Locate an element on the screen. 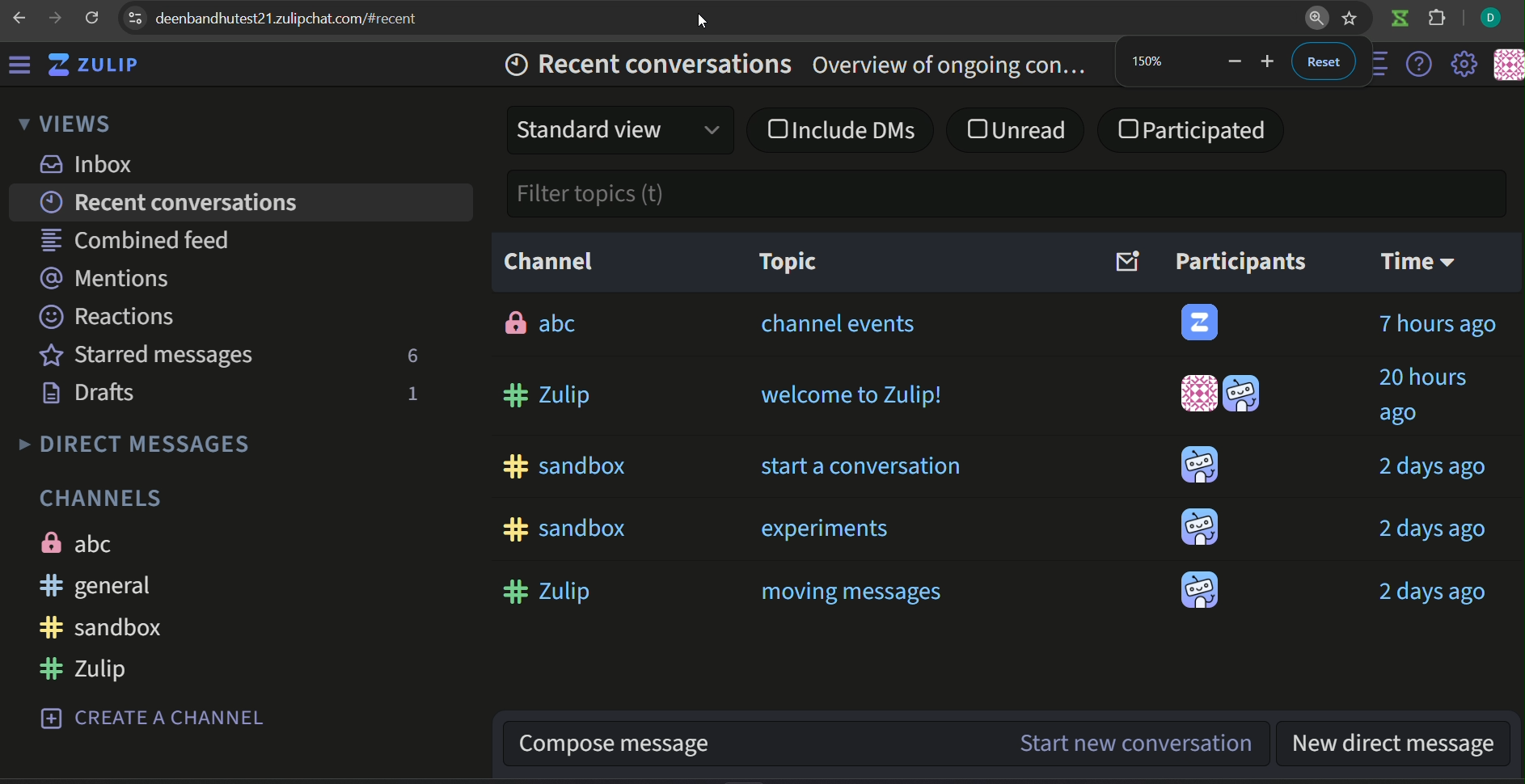 This screenshot has width=1525, height=784. Start new conversation is located at coordinates (1138, 746).